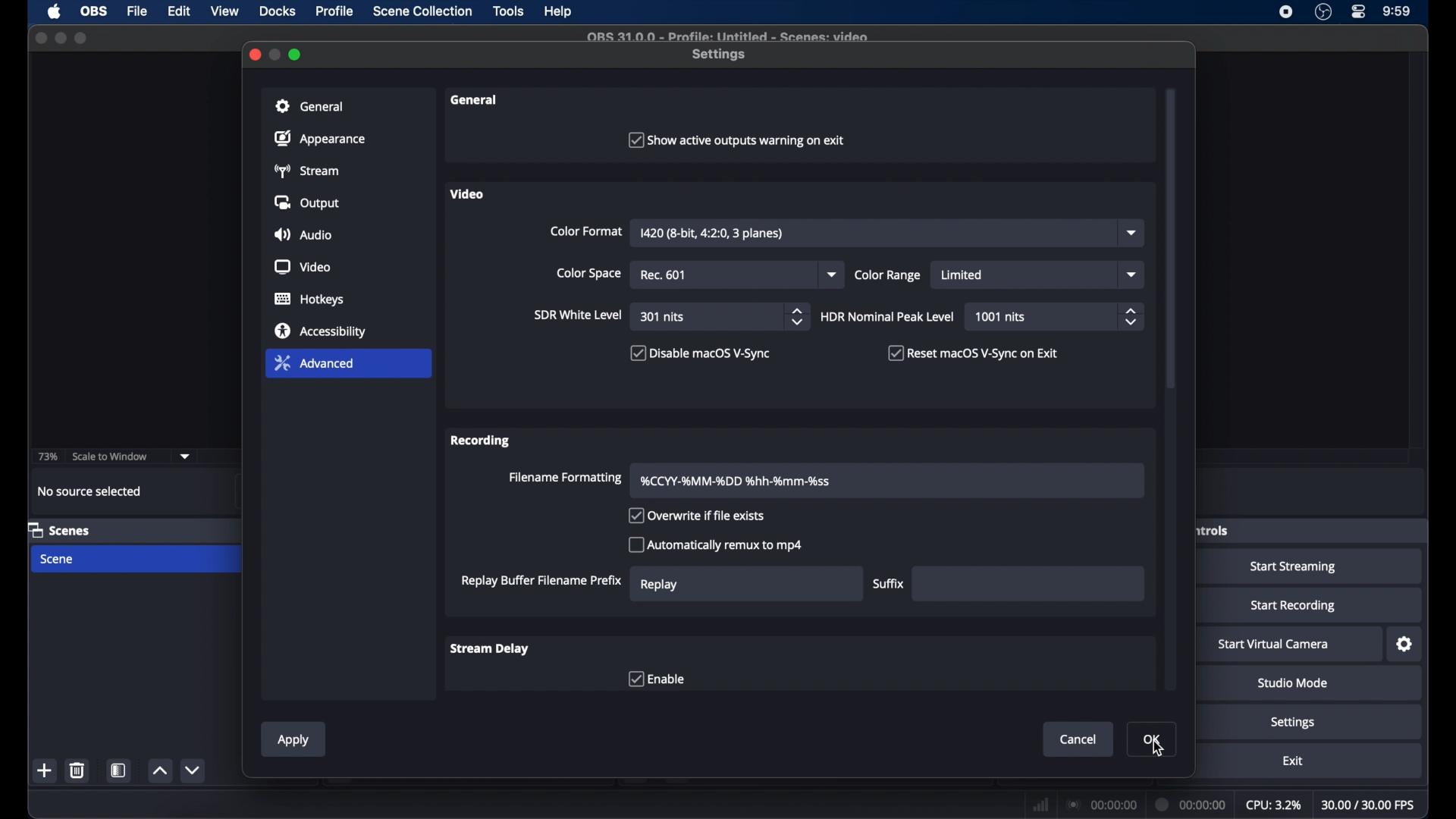 This screenshot has height=819, width=1456. Describe the element at coordinates (720, 55) in the screenshot. I see `settings` at that location.